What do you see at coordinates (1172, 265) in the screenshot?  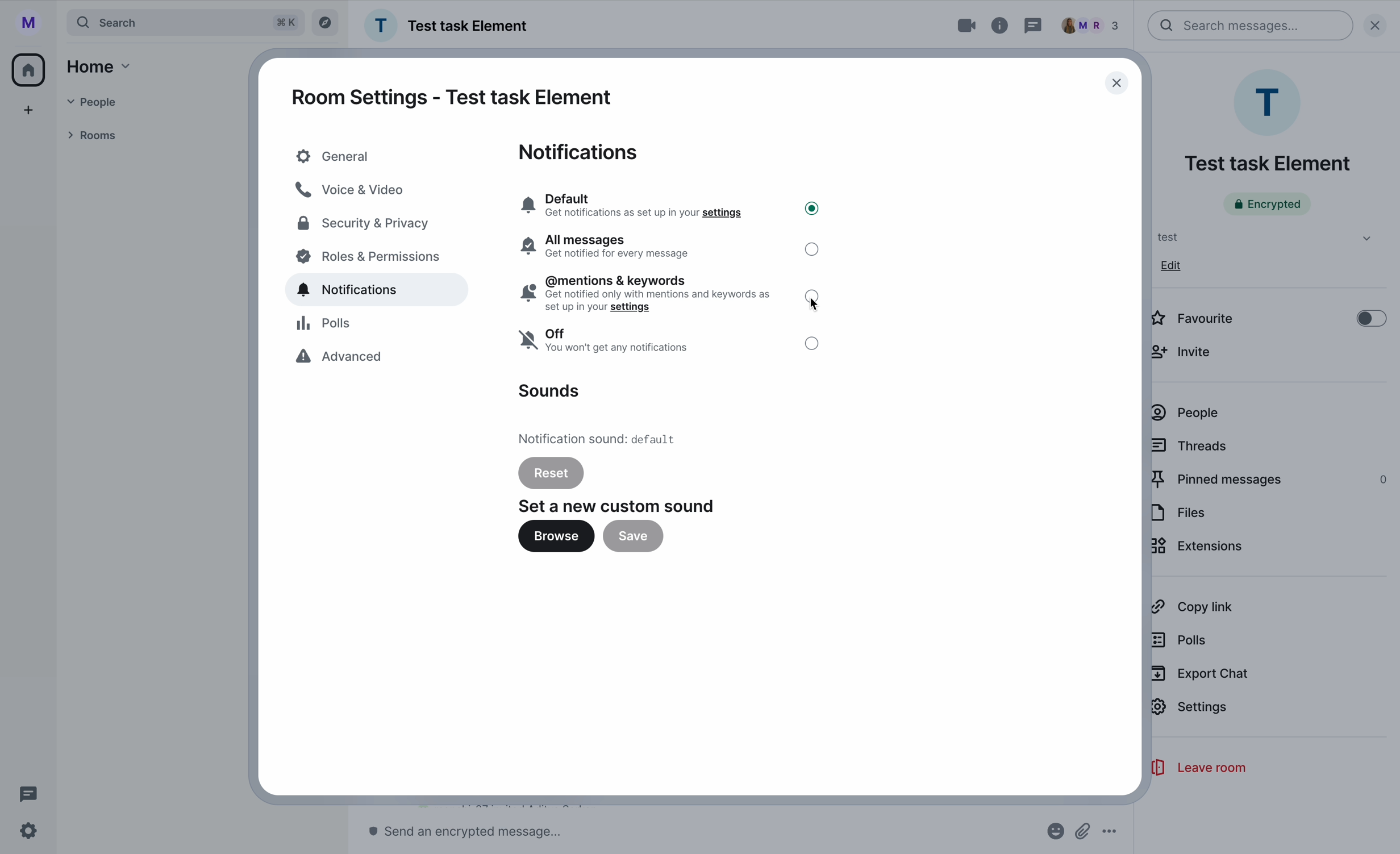 I see `edit` at bounding box center [1172, 265].